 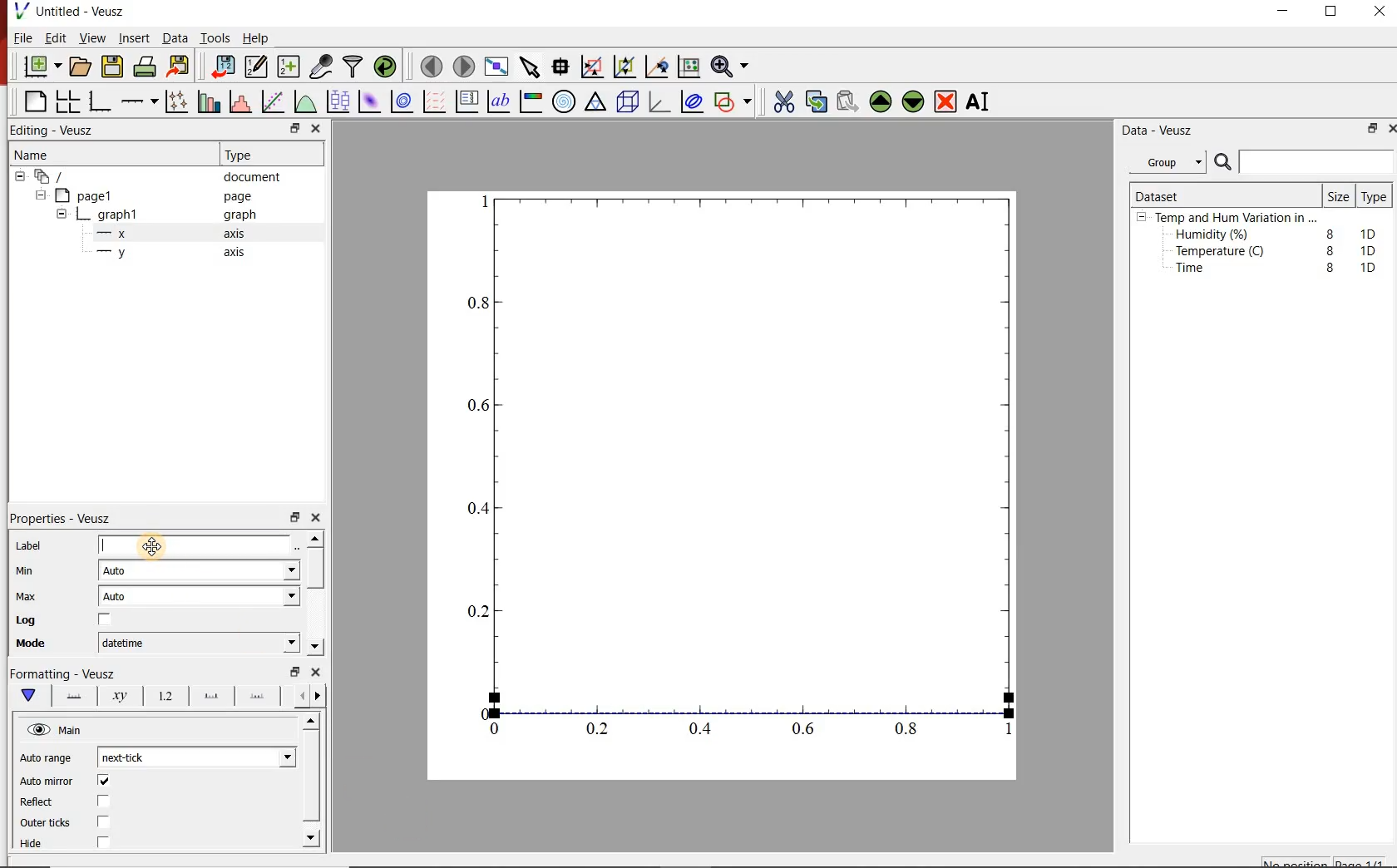 I want to click on Mode, so click(x=42, y=645).